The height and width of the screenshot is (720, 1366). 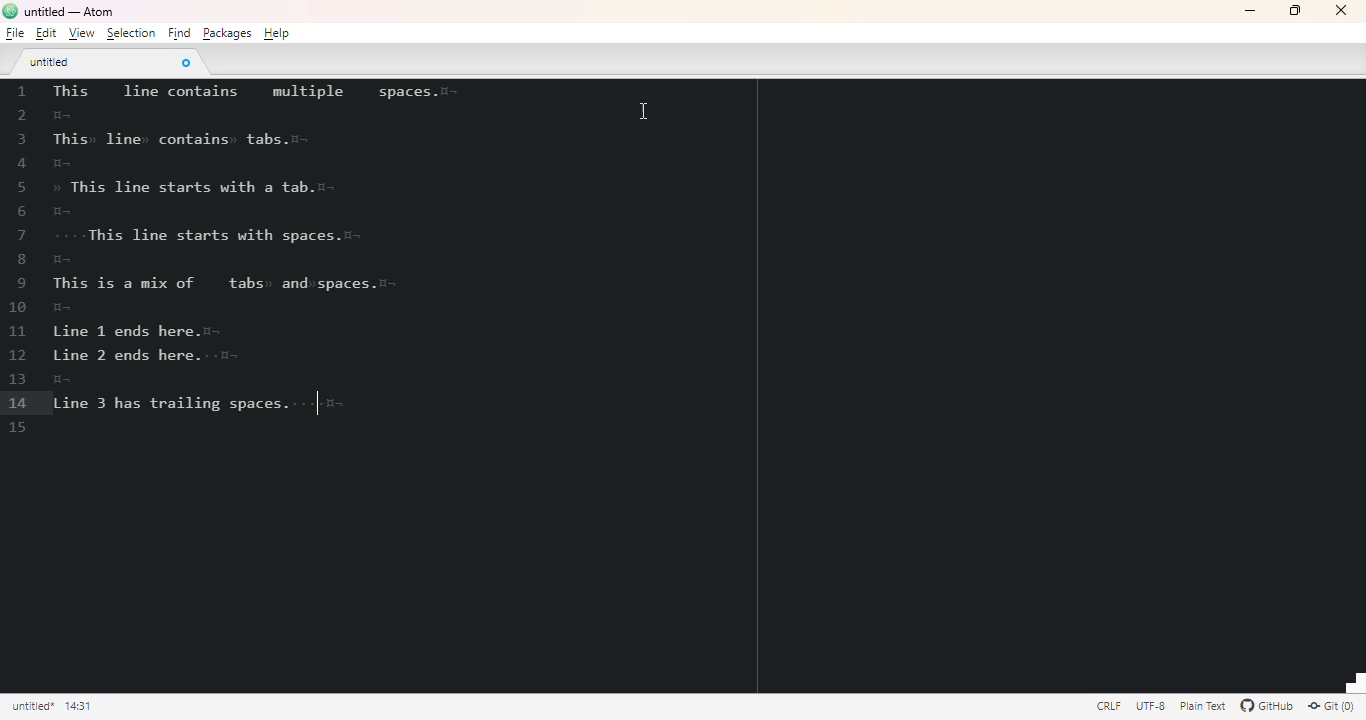 What do you see at coordinates (179, 33) in the screenshot?
I see `find` at bounding box center [179, 33].